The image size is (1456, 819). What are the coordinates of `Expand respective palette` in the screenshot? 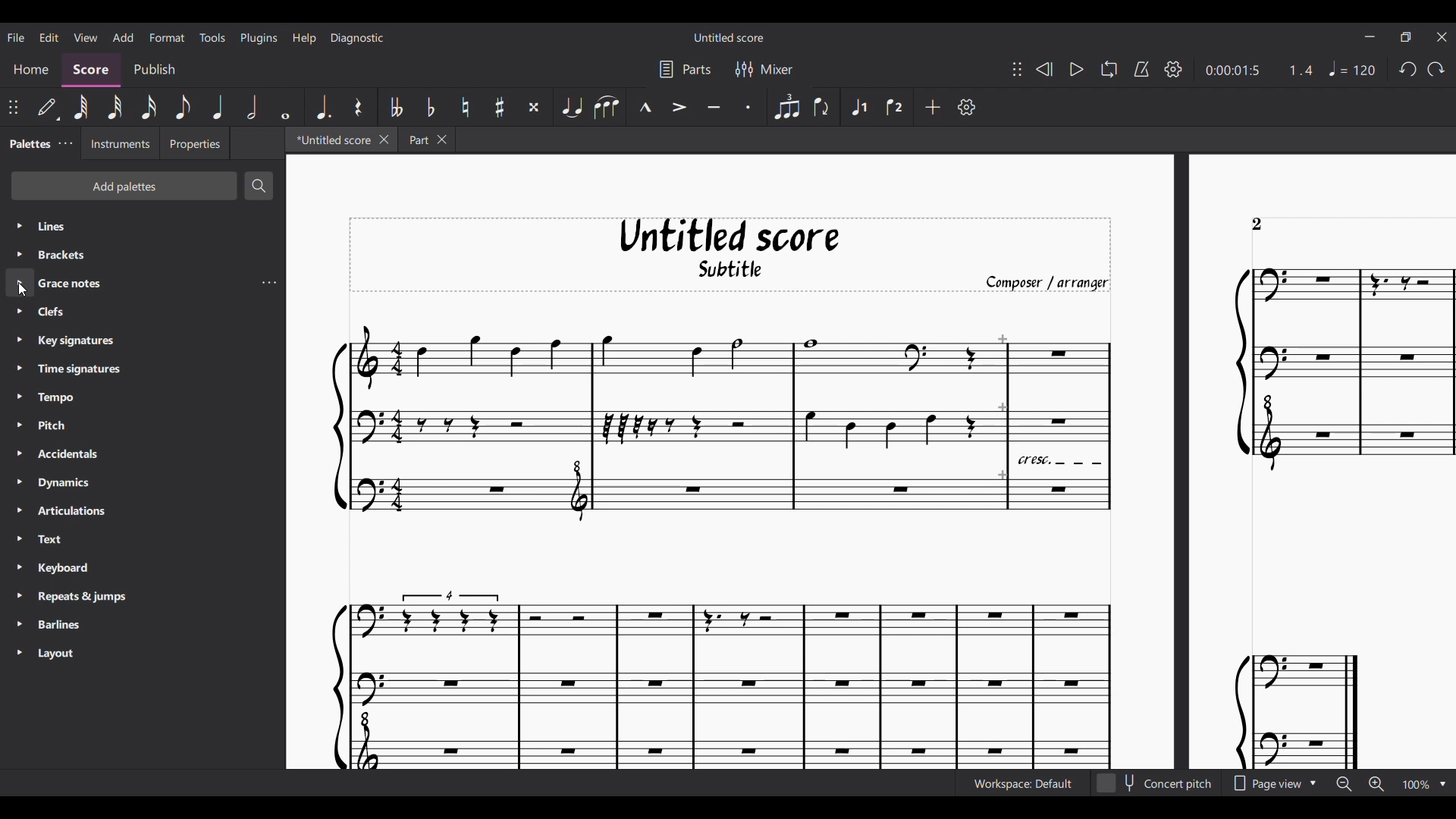 It's located at (18, 438).